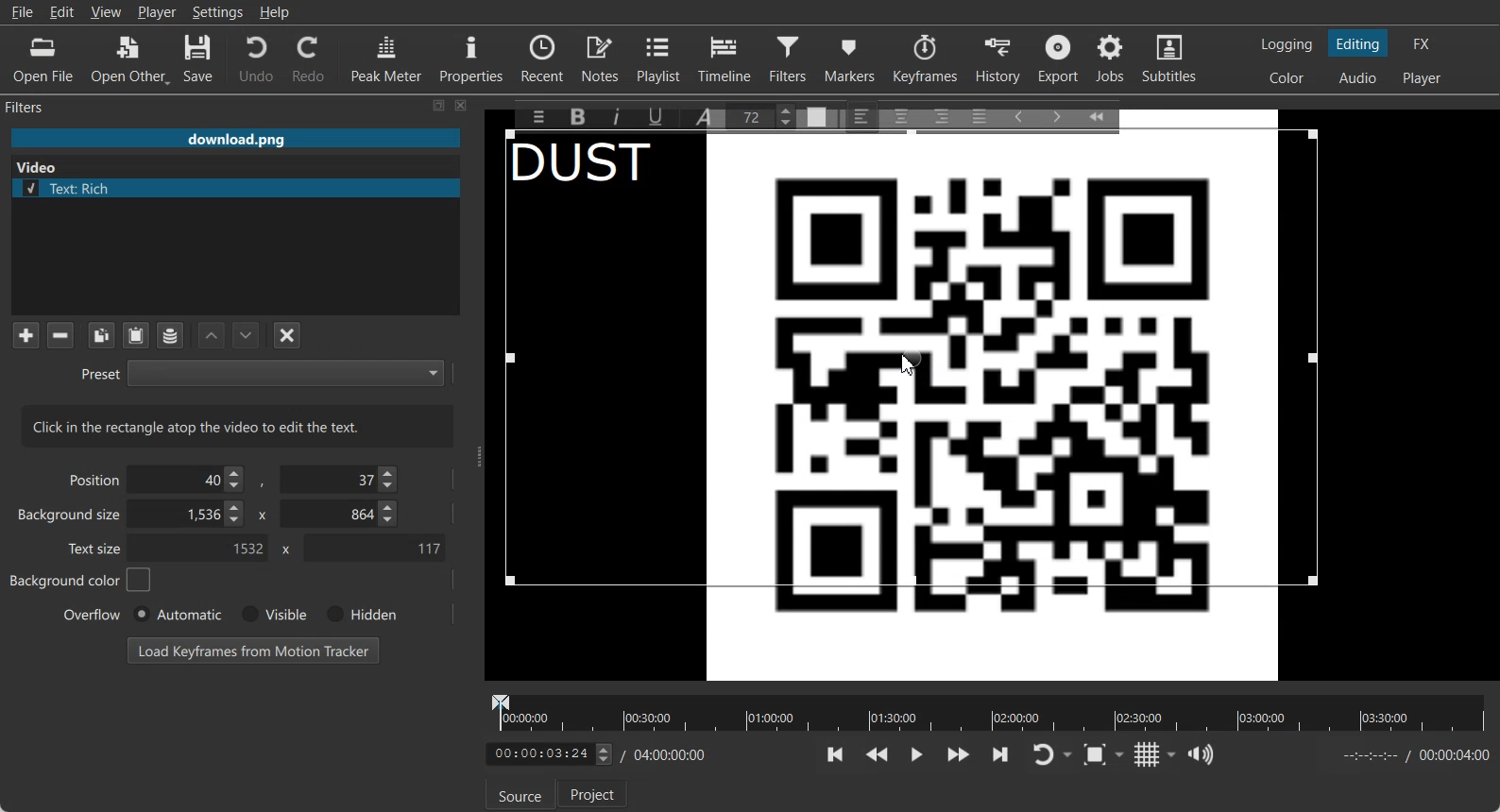 This screenshot has height=812, width=1500. I want to click on Video, so click(41, 165).